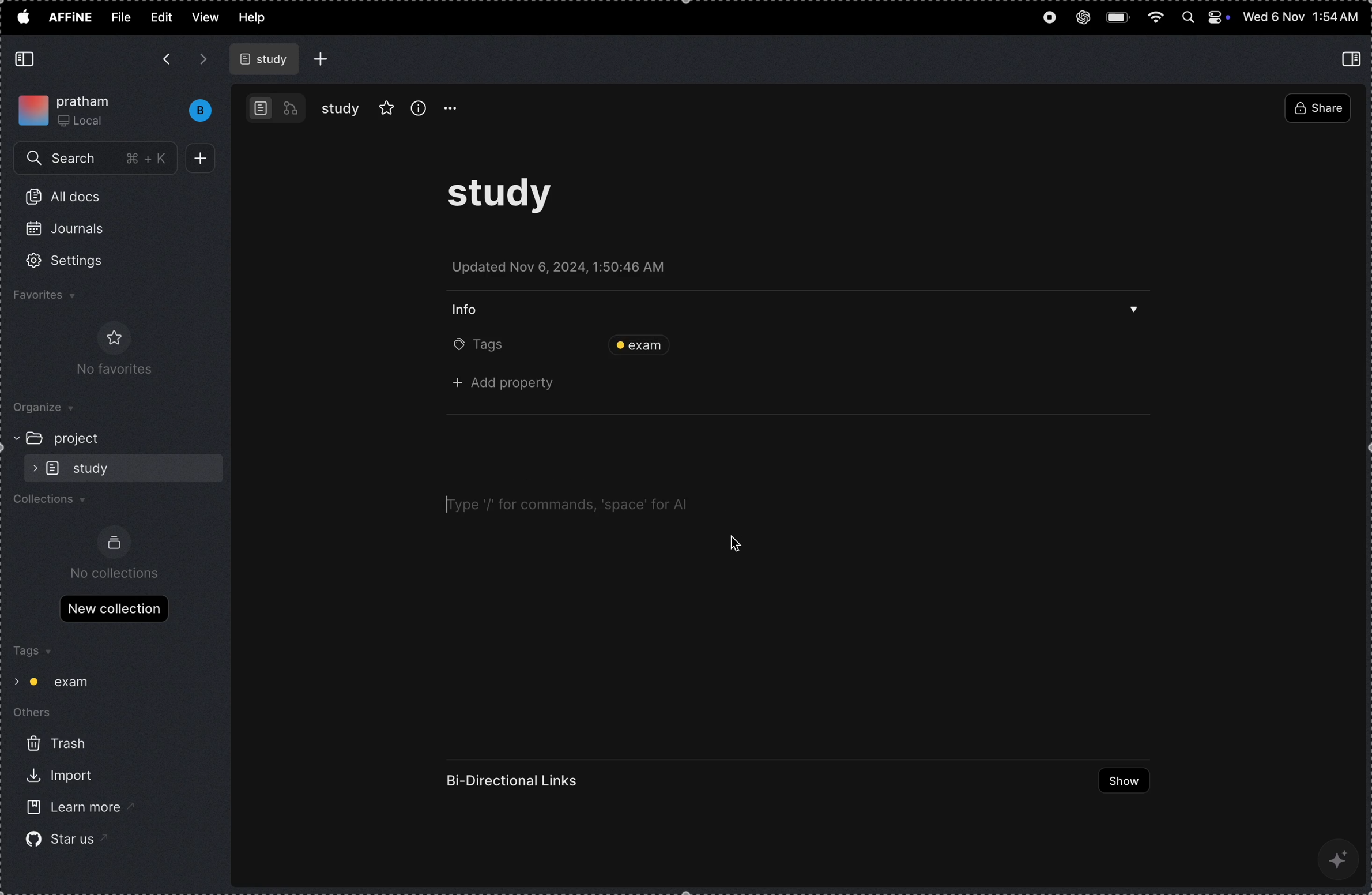  Describe the element at coordinates (1118, 781) in the screenshot. I see `show` at that location.